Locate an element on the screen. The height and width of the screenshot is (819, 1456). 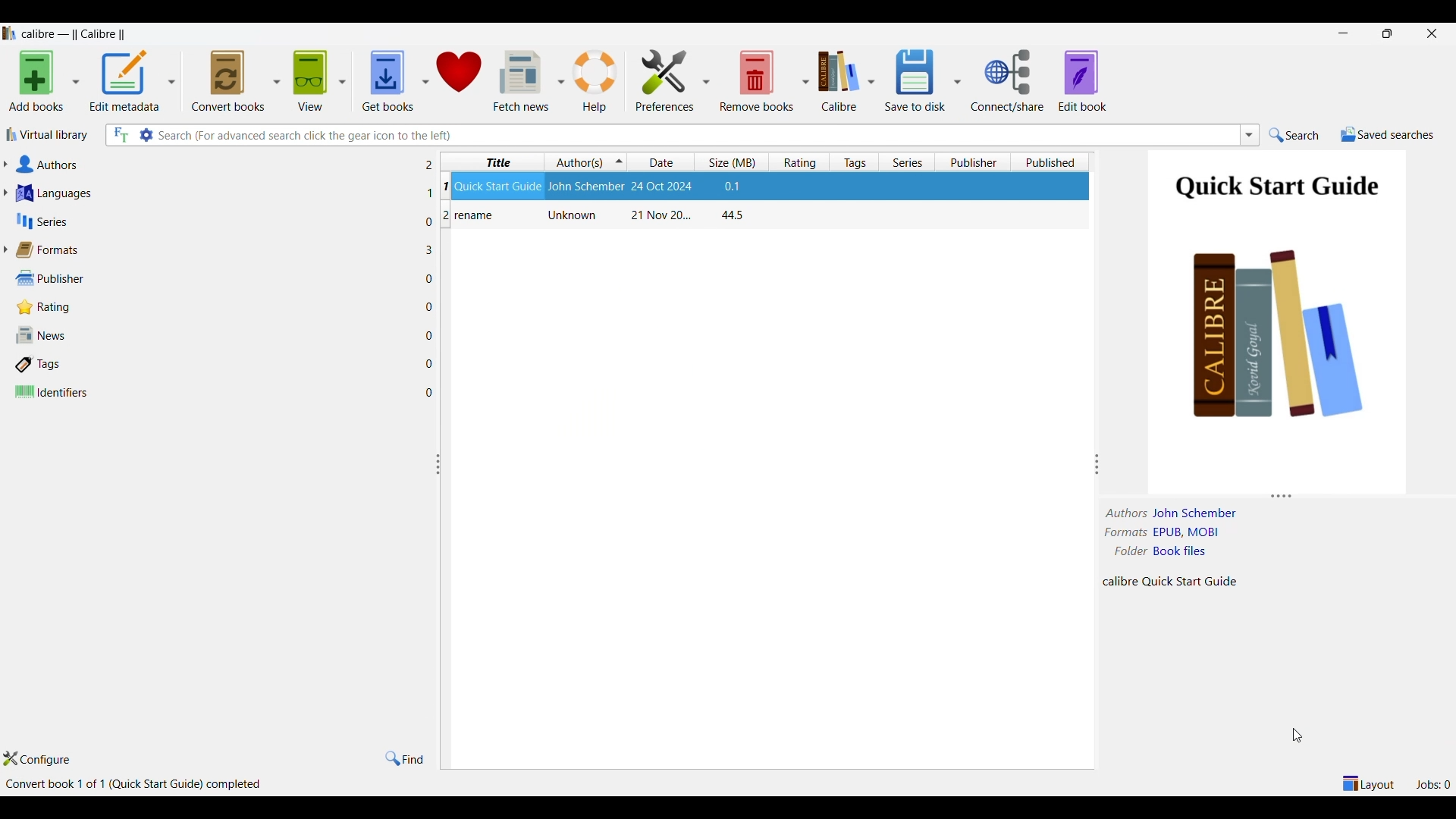
Get books is located at coordinates (386, 82).